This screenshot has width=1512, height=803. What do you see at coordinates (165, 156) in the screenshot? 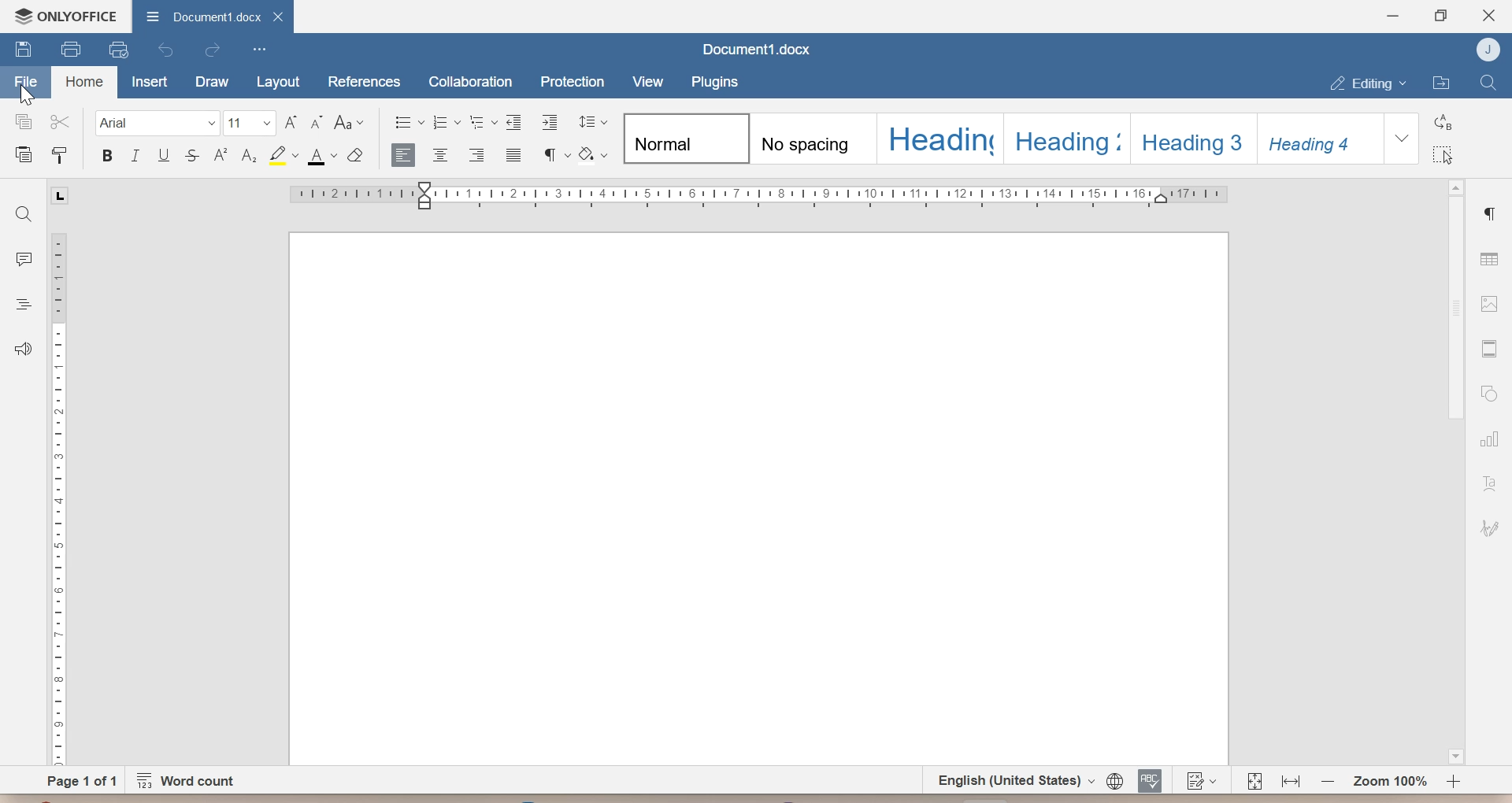
I see `Underline` at bounding box center [165, 156].